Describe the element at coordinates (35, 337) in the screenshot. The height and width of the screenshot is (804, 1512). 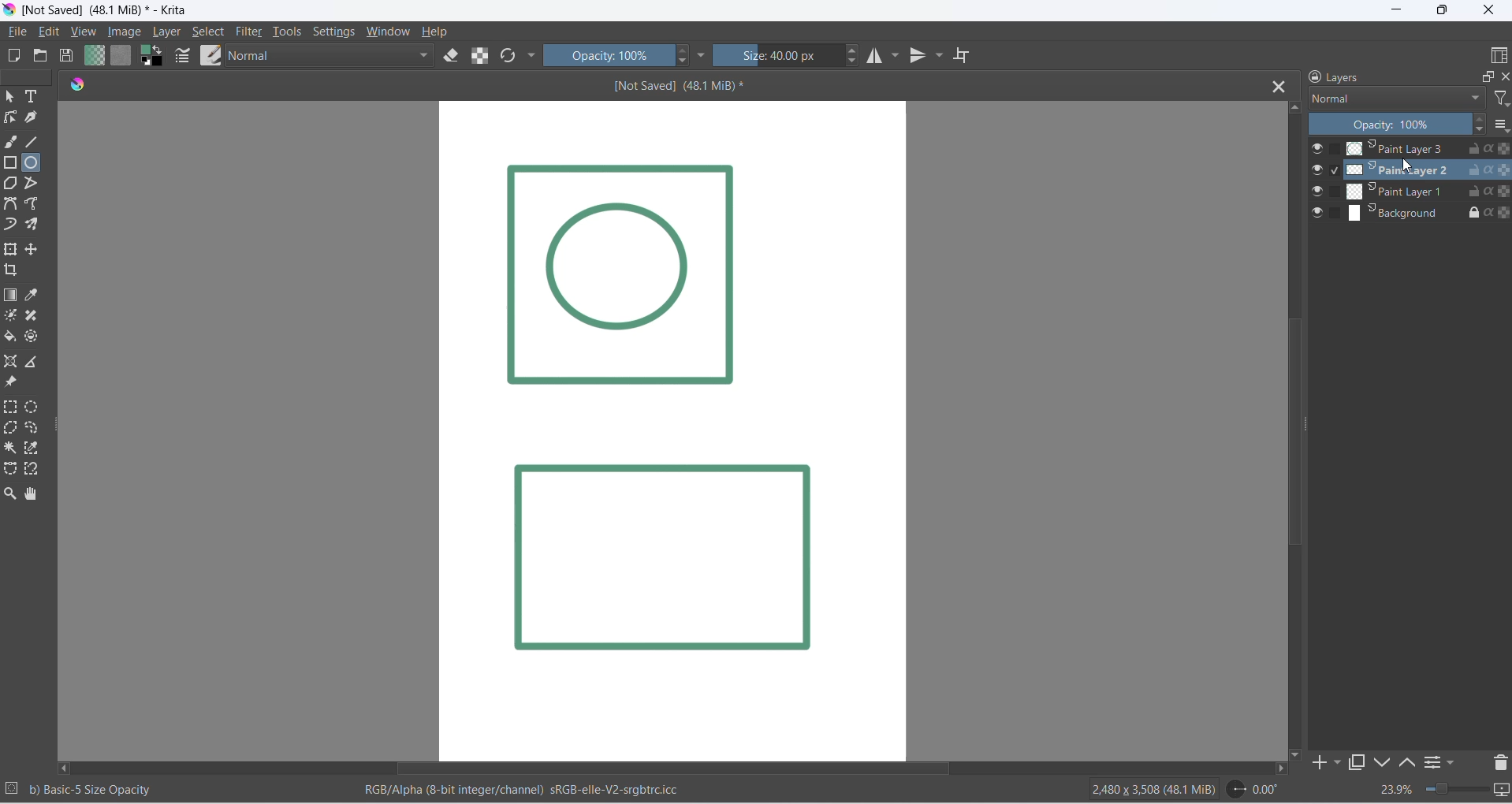
I see `enclose tool` at that location.